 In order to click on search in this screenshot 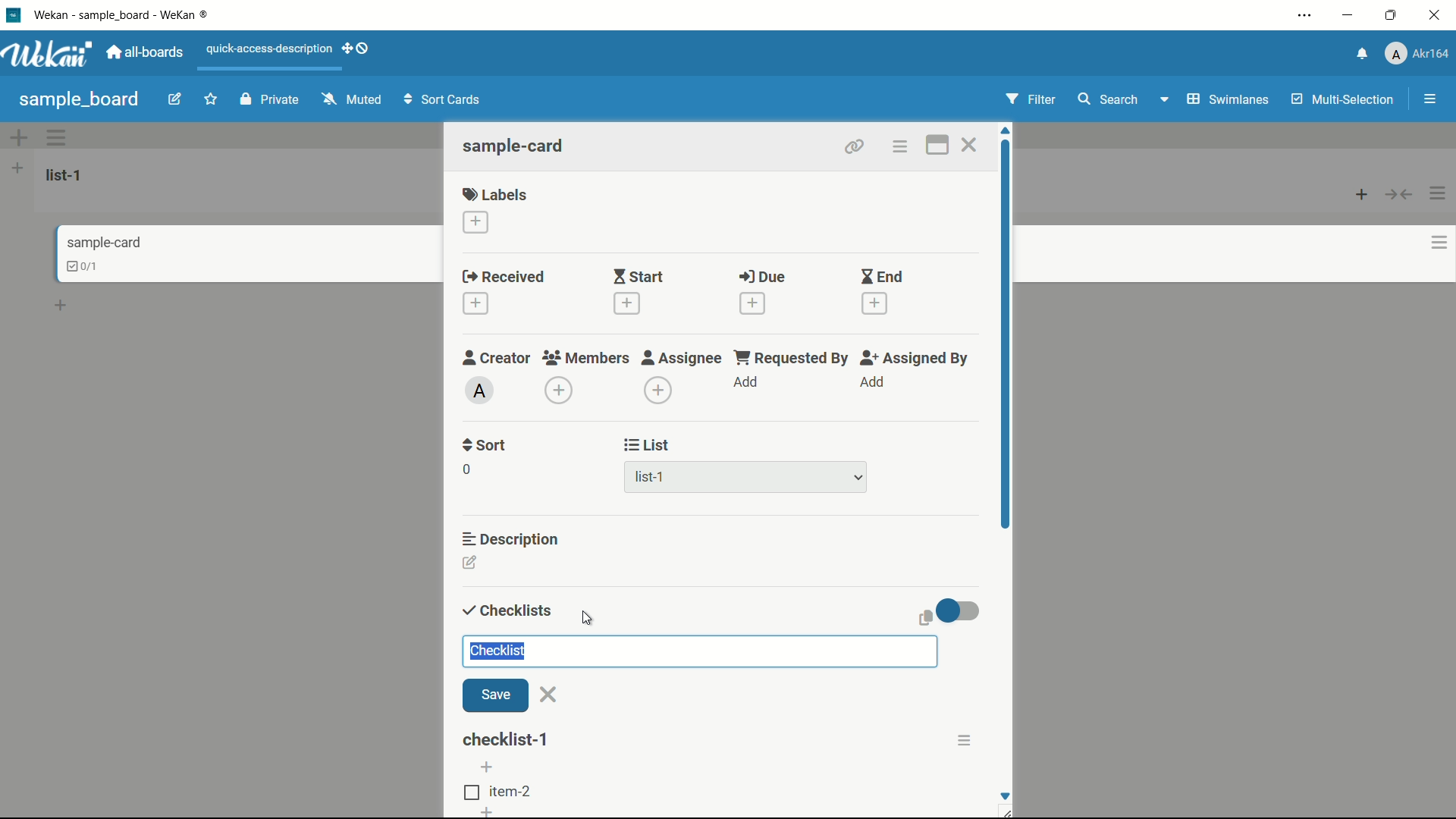, I will do `click(1106, 99)`.